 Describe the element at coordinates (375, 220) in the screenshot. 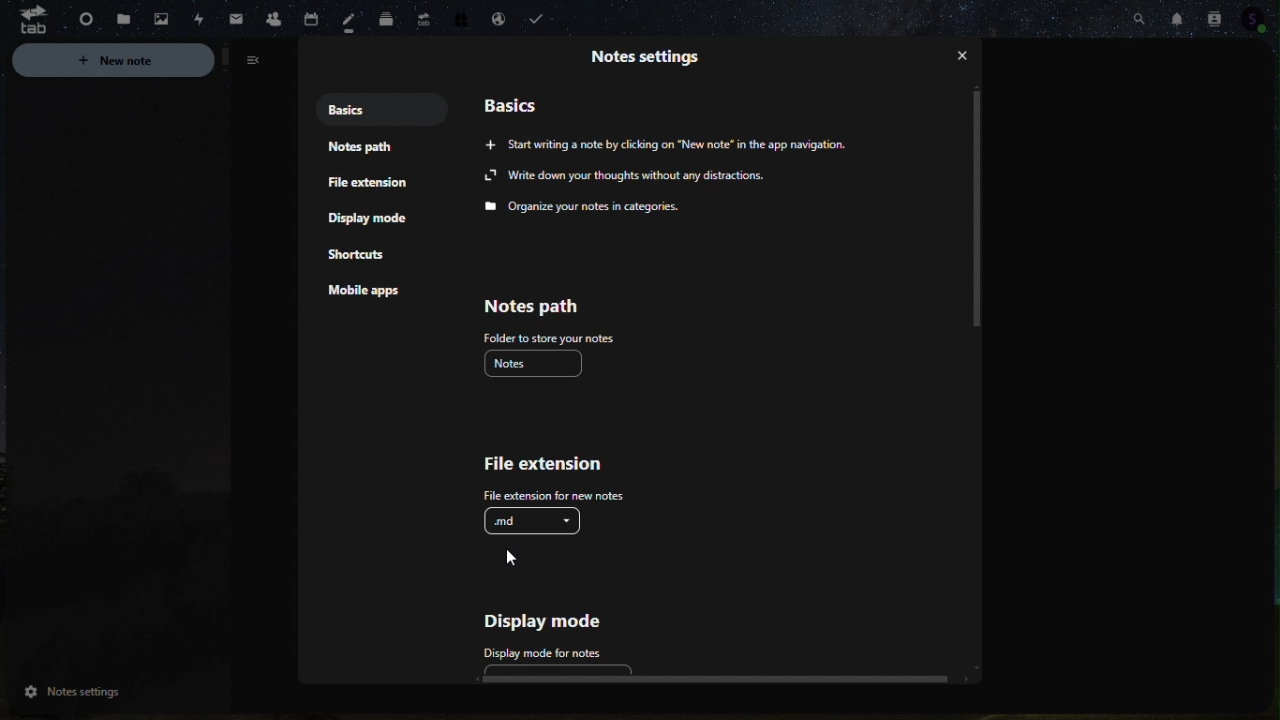

I see `Display mode` at that location.